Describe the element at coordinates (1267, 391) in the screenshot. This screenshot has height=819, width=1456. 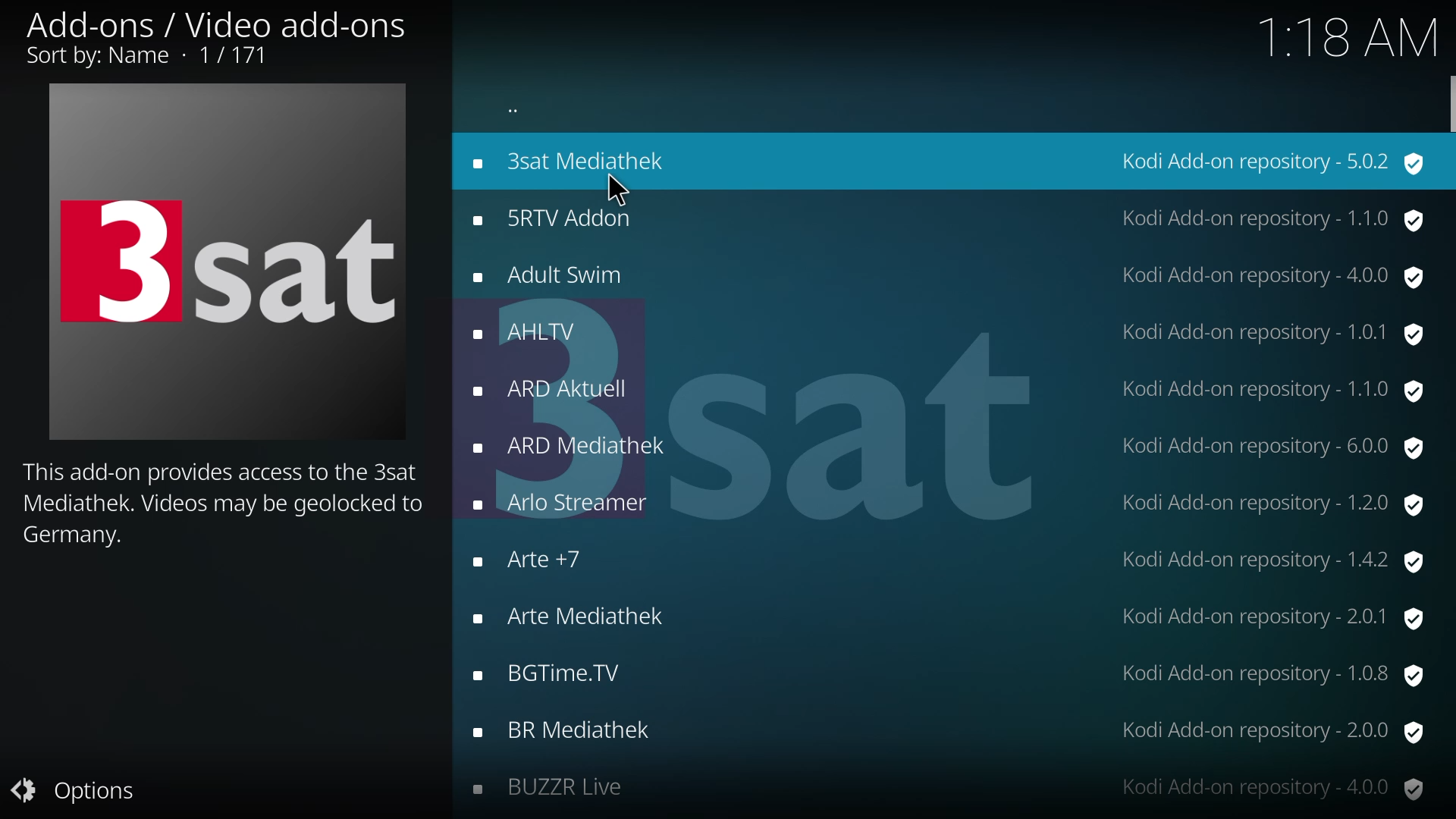
I see `version` at that location.